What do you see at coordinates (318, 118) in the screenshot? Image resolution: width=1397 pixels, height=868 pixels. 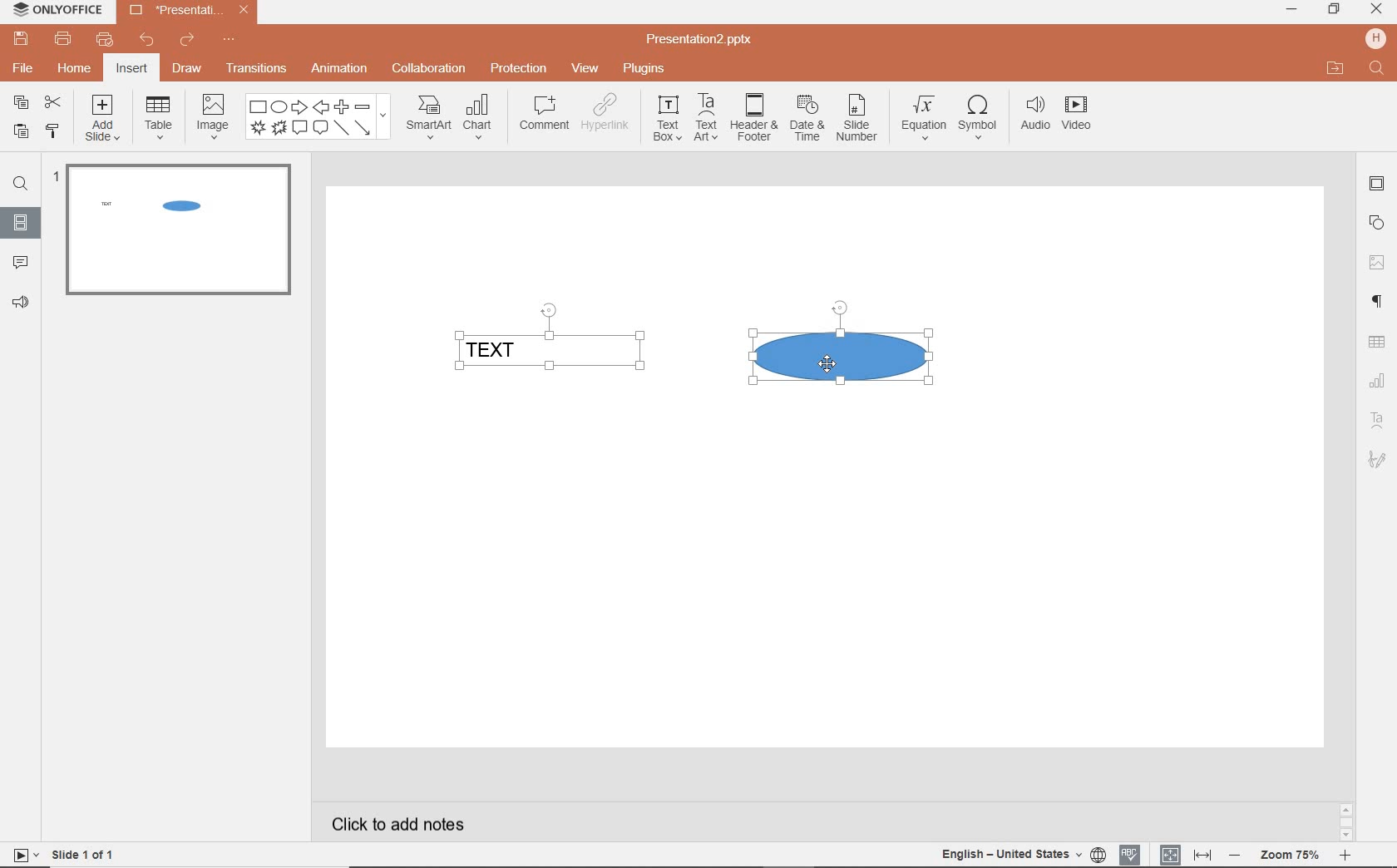 I see `shape` at bounding box center [318, 118].